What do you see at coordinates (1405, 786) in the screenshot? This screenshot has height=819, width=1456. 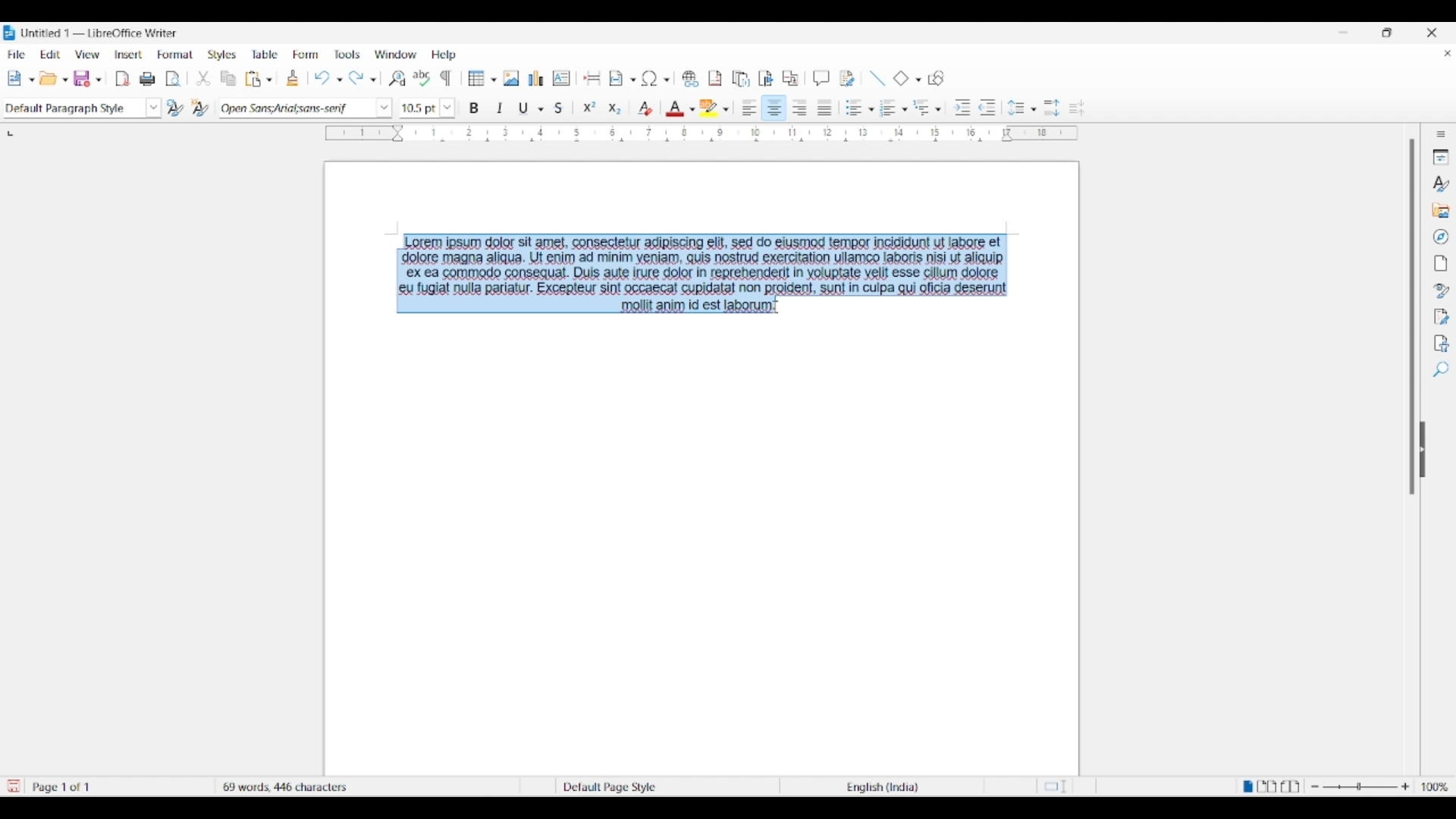 I see `Zoom in` at bounding box center [1405, 786].